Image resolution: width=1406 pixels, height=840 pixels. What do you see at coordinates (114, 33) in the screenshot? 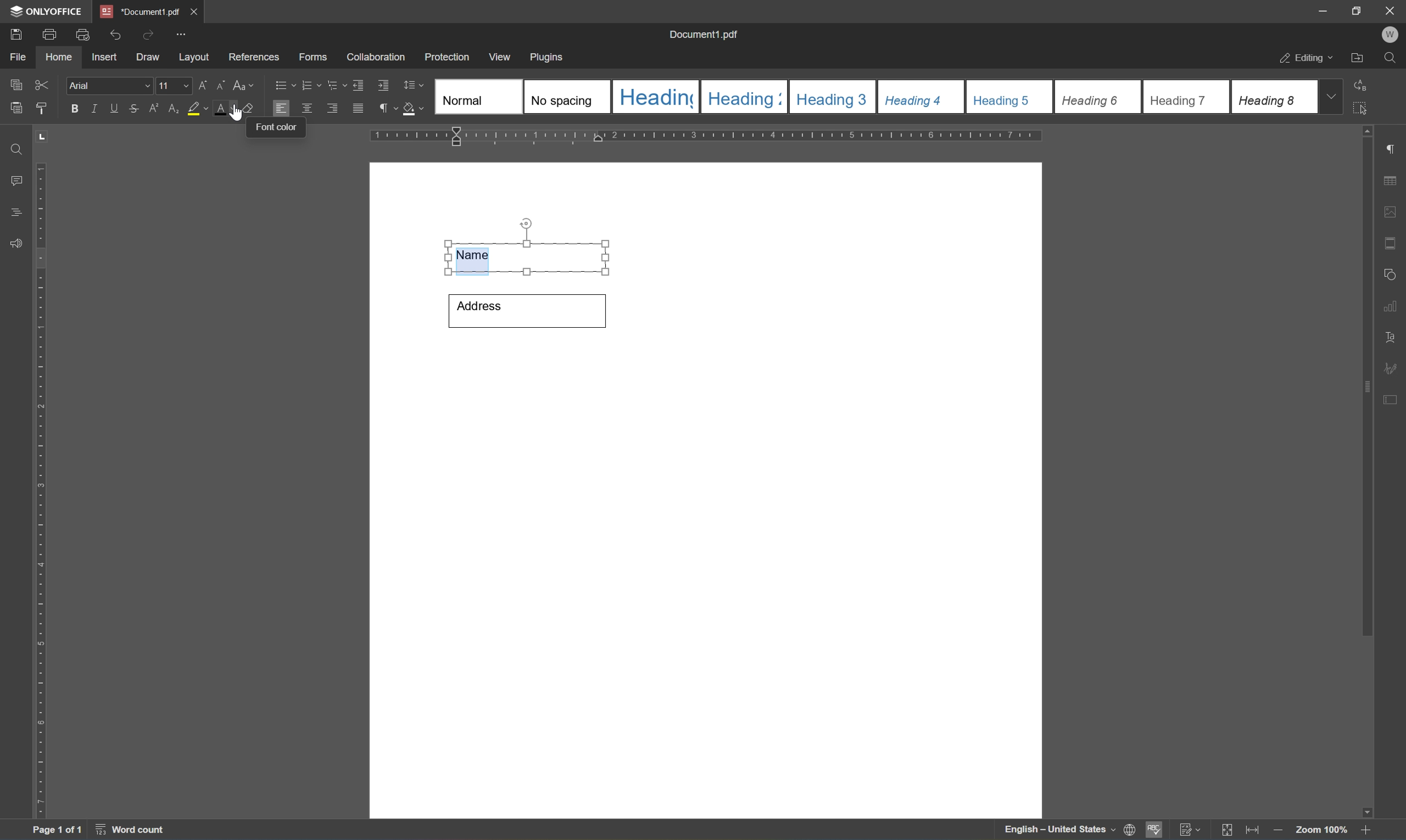
I see `undo` at bounding box center [114, 33].